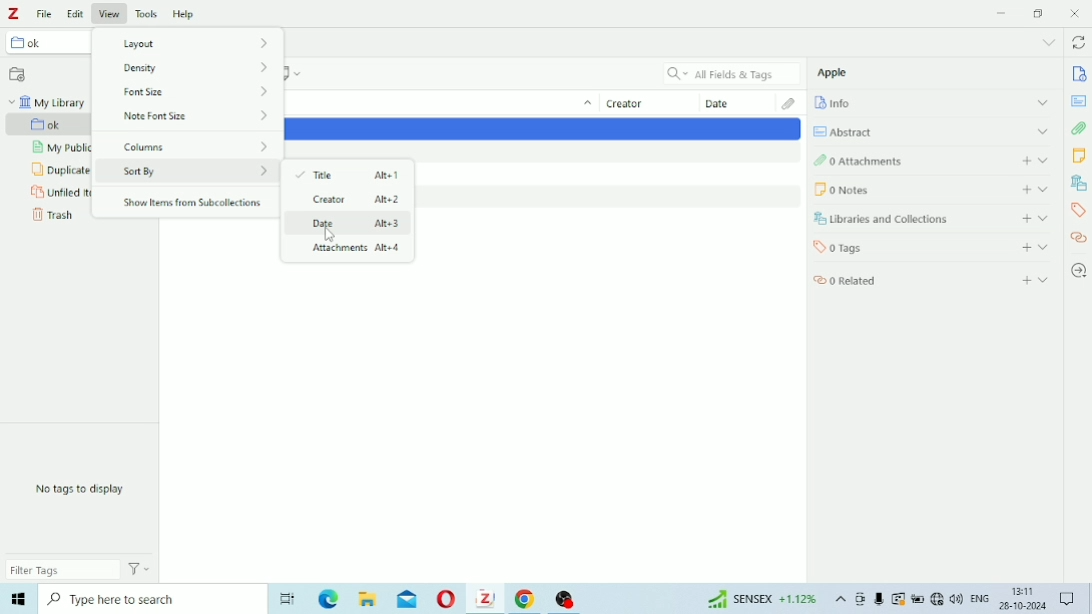  I want to click on Trash, so click(53, 218).